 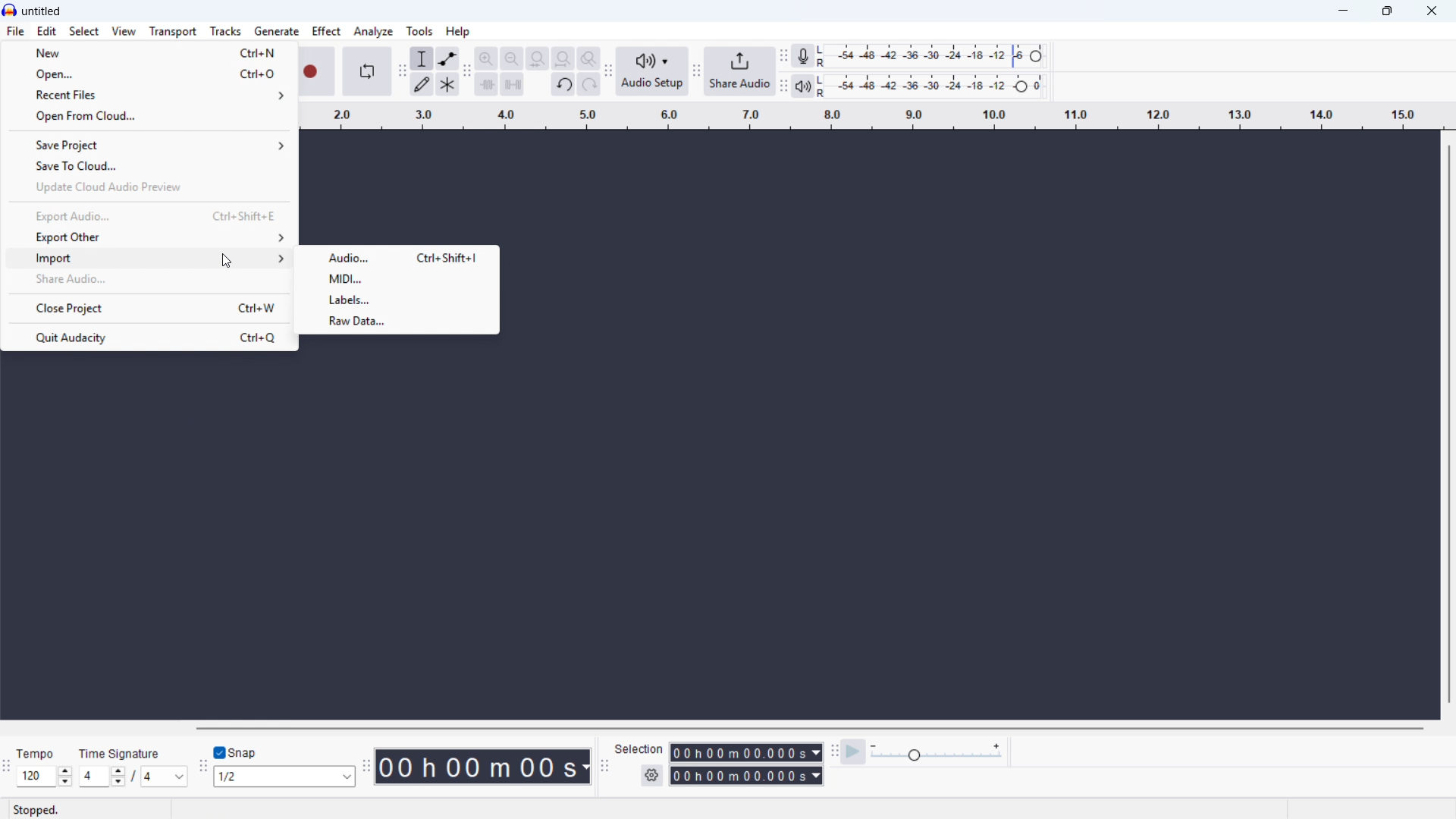 I want to click on Tools , so click(x=420, y=30).